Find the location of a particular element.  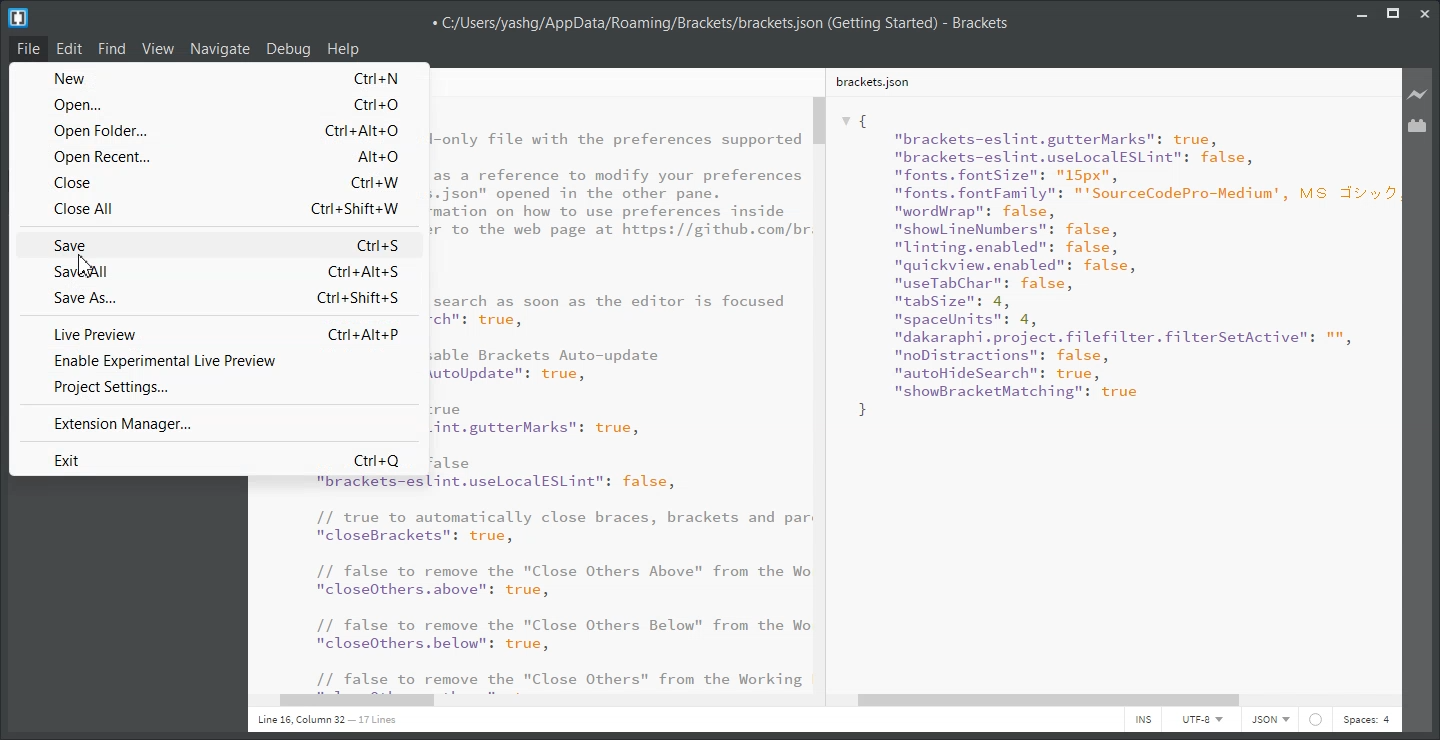

New   Ctrl+N is located at coordinates (219, 78).